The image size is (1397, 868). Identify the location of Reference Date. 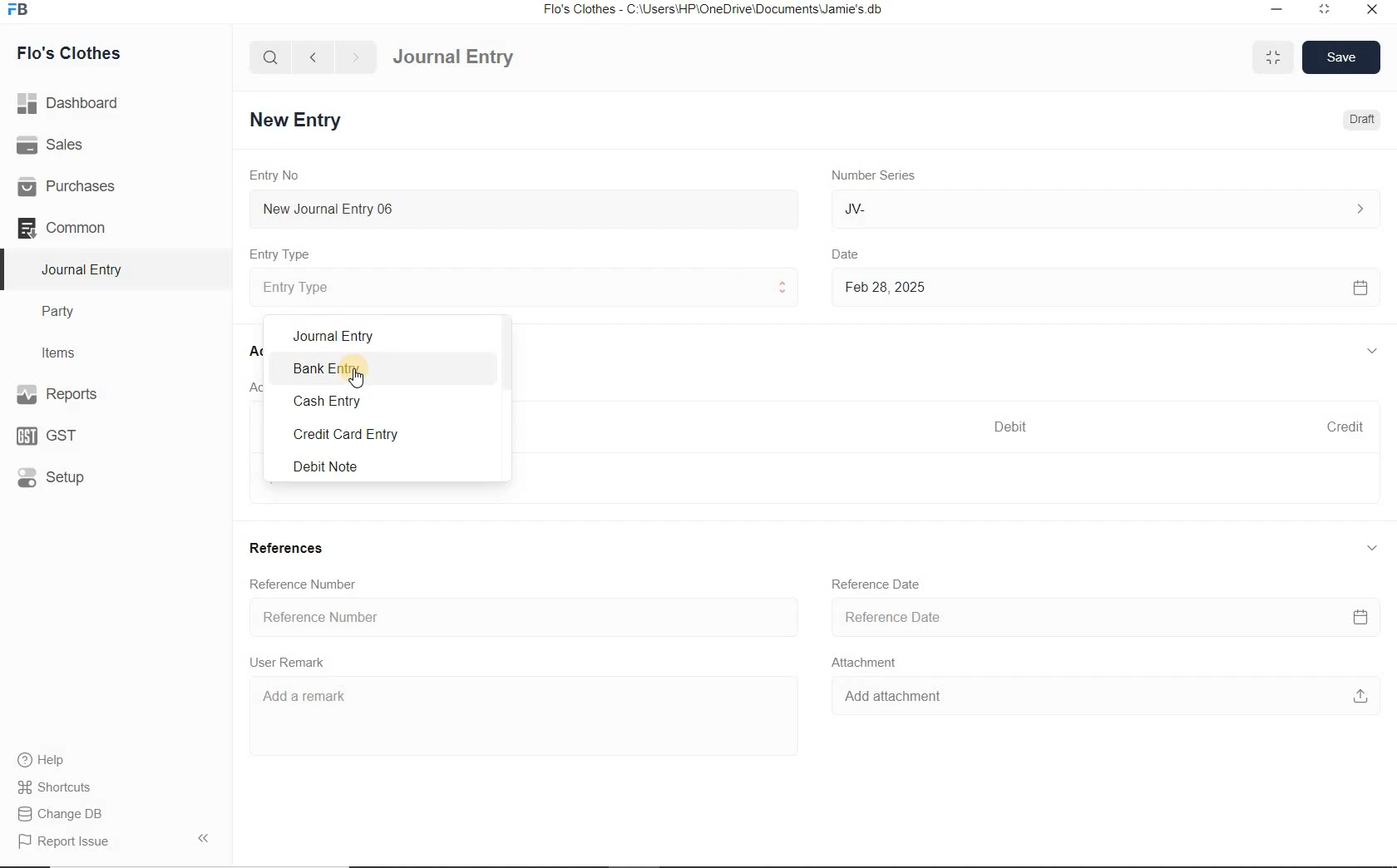
(879, 584).